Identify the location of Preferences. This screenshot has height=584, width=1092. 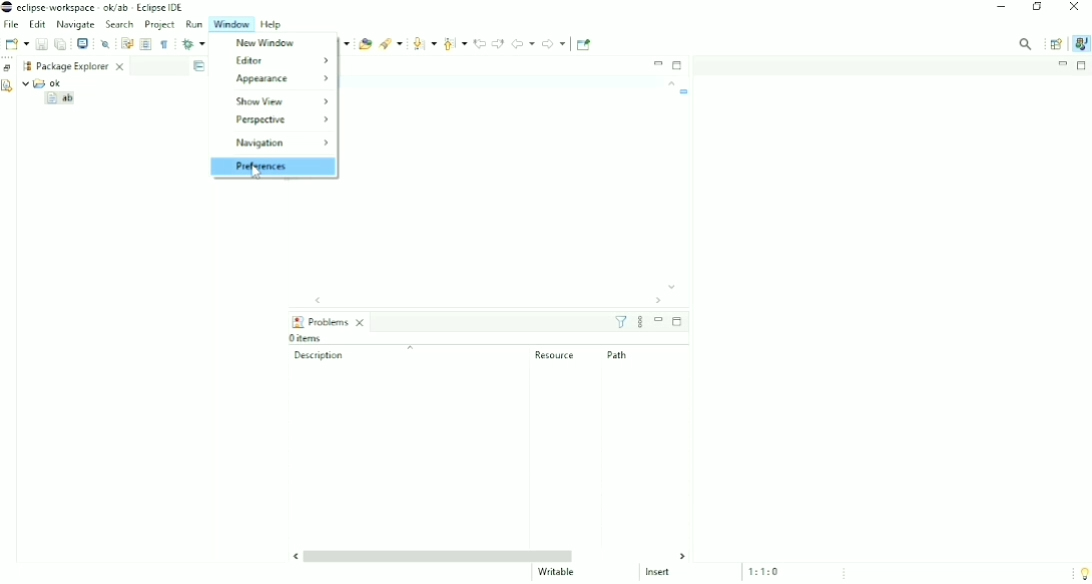
(276, 168).